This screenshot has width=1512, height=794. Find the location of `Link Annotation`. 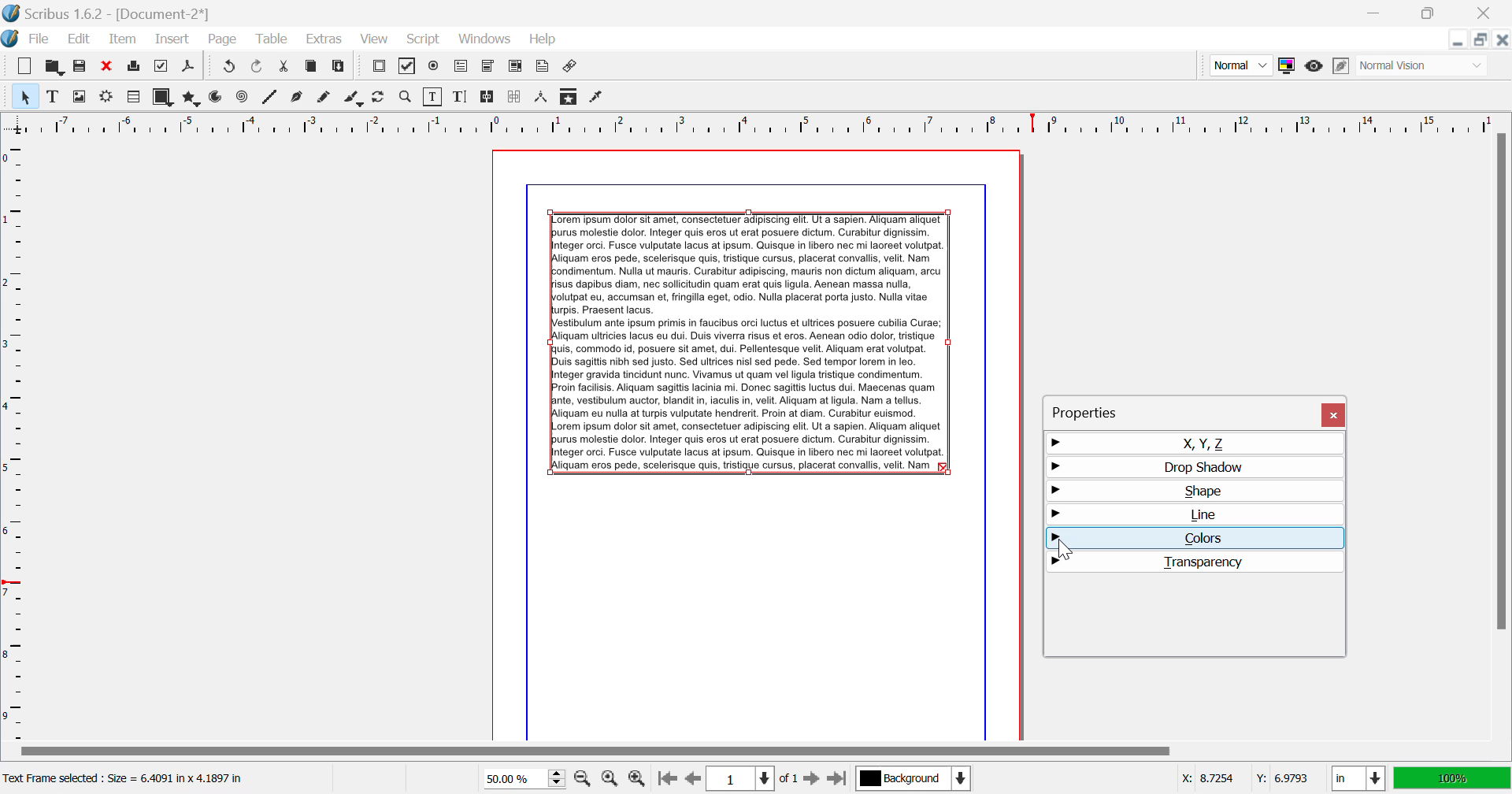

Link Annotation is located at coordinates (572, 68).